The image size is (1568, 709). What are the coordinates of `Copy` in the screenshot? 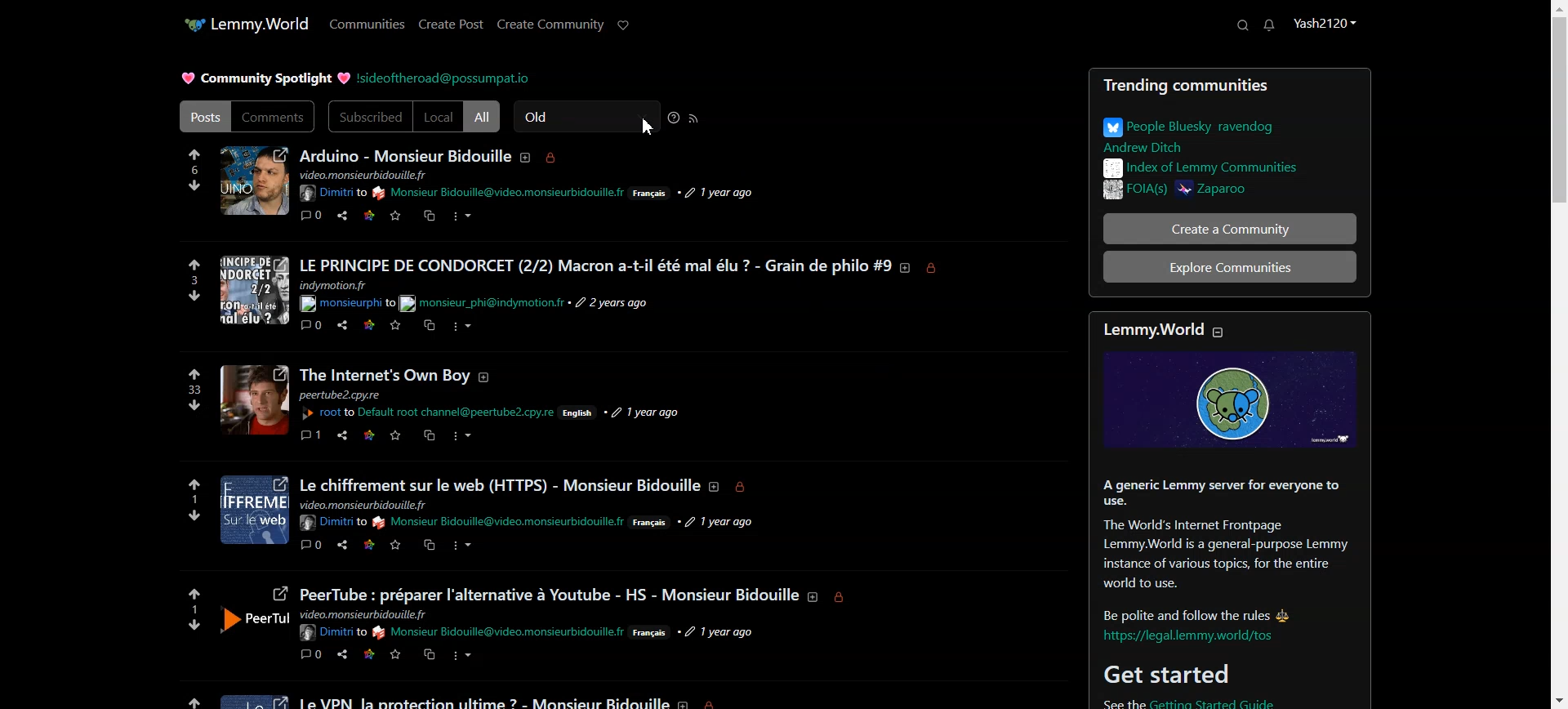 It's located at (428, 216).